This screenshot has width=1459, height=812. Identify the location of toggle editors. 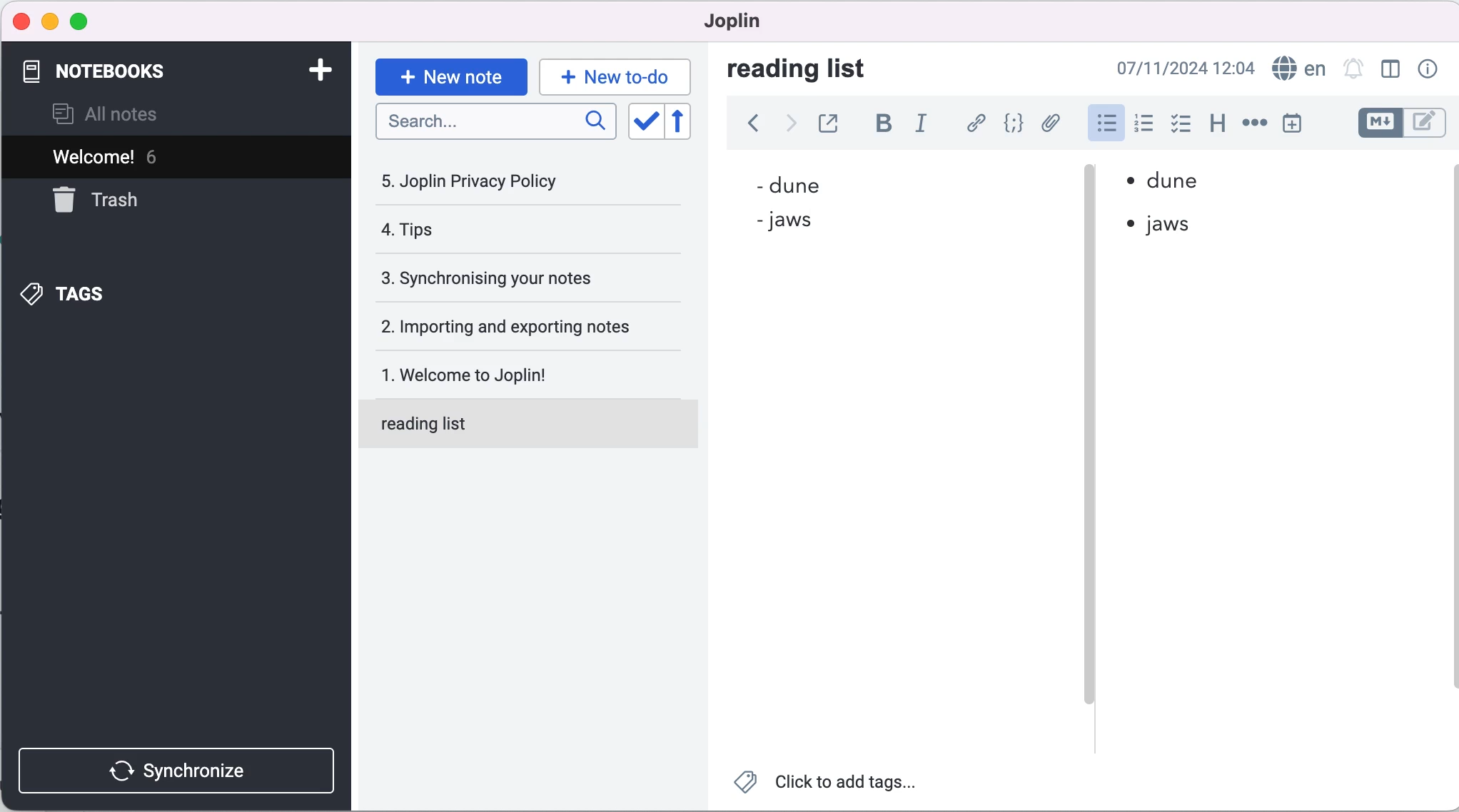
(1397, 123).